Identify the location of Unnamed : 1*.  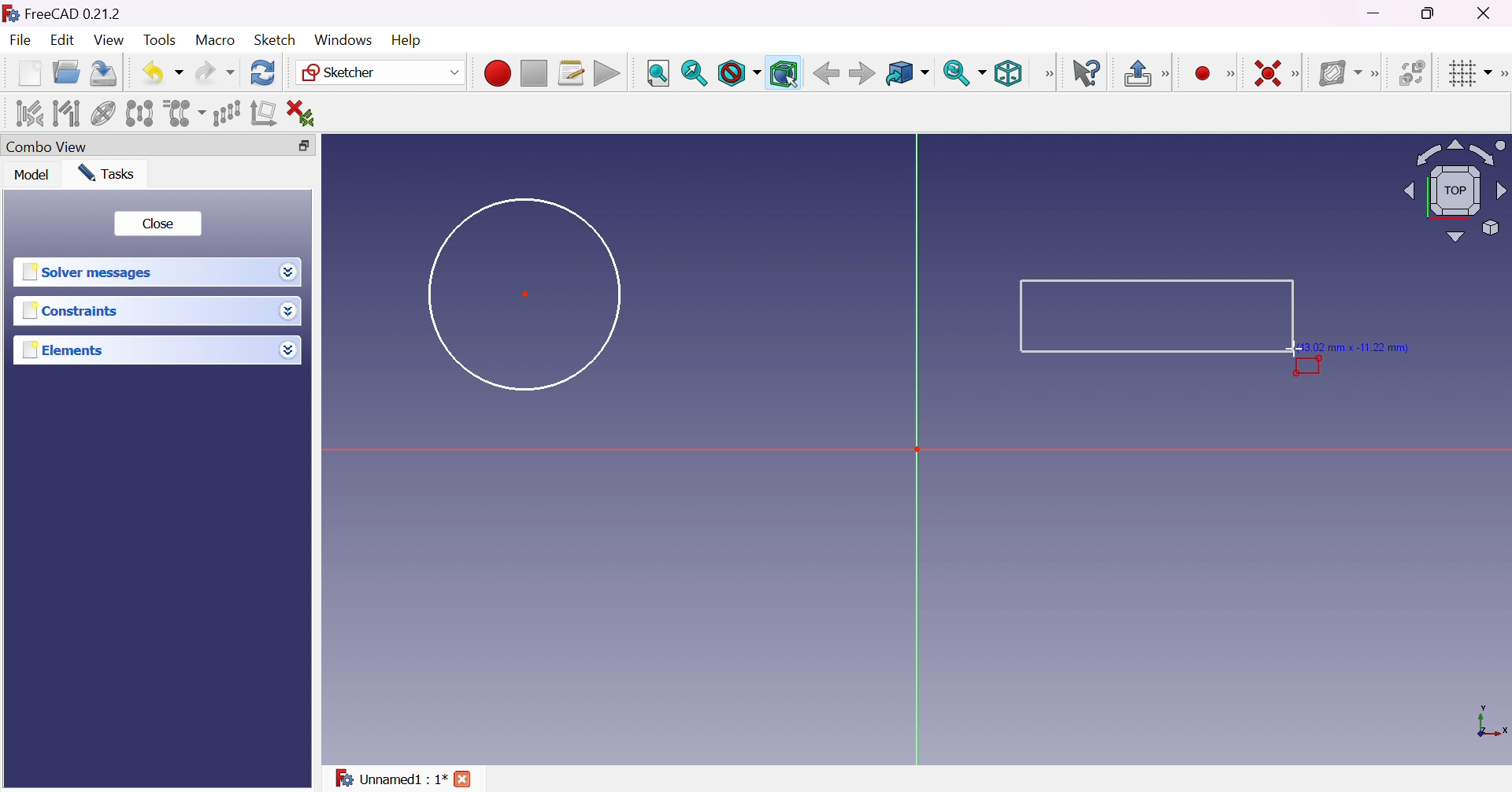
(390, 775).